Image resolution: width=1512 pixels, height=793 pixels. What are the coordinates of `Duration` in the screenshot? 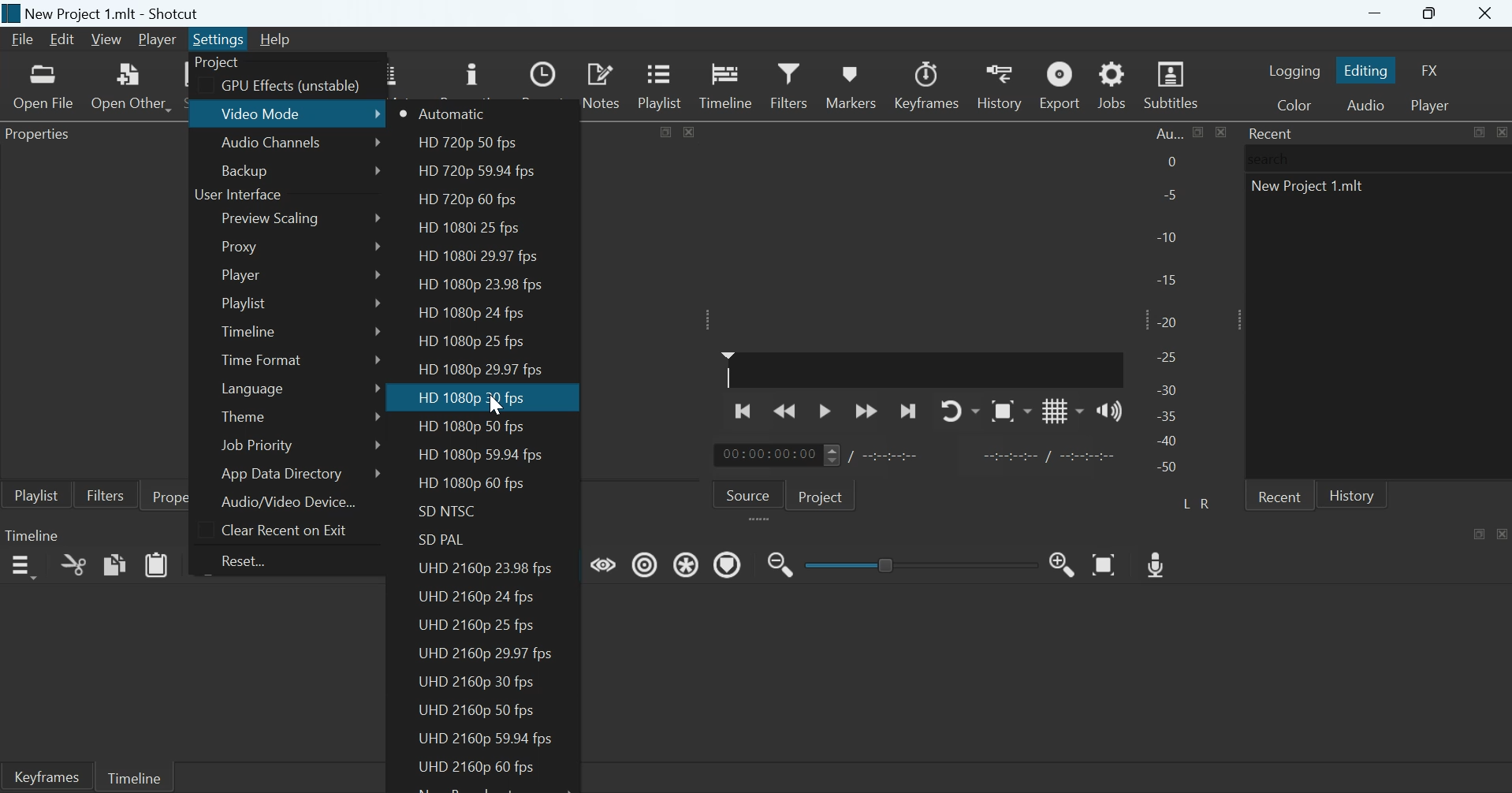 It's located at (892, 456).